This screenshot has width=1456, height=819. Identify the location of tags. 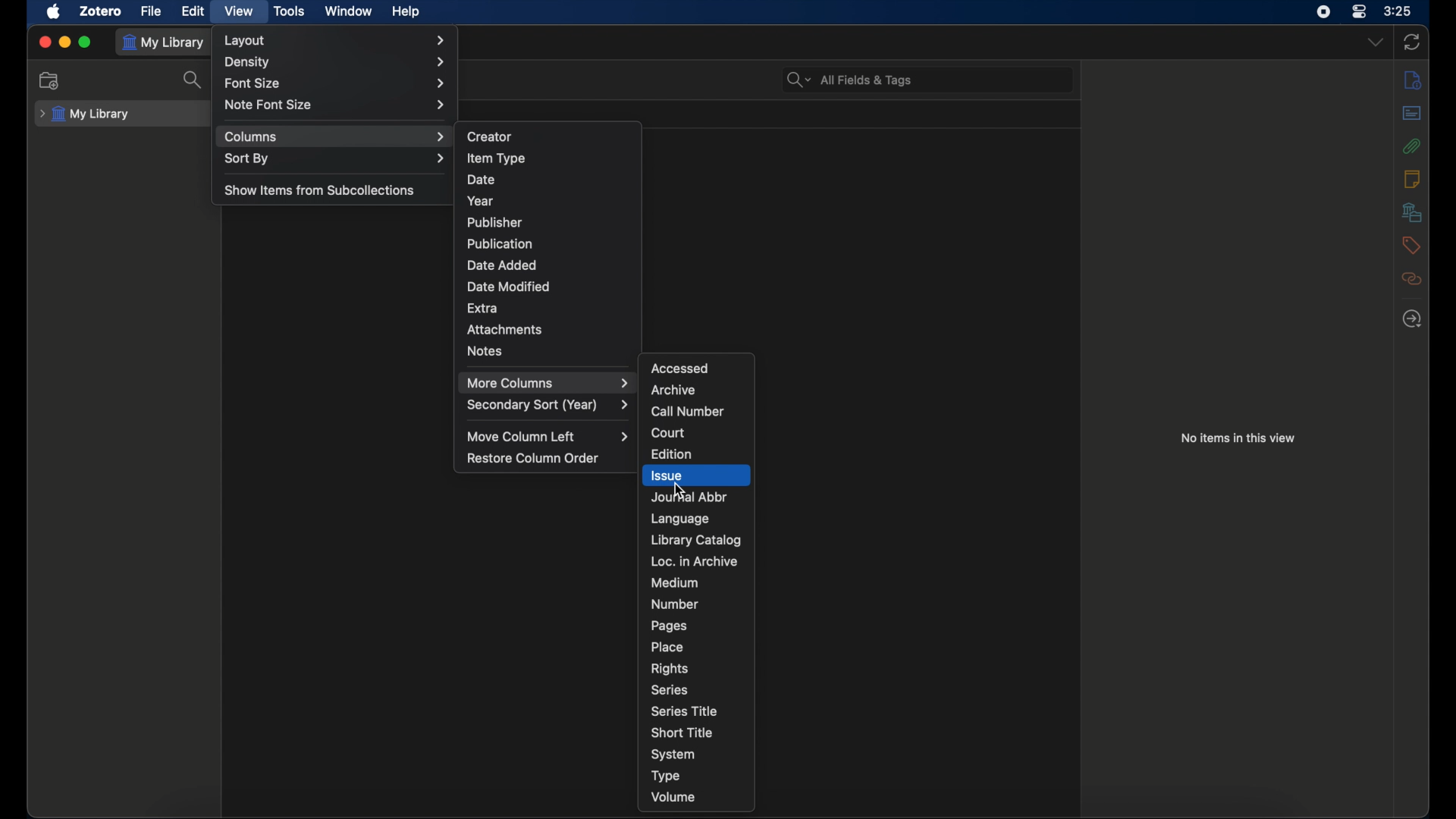
(1409, 244).